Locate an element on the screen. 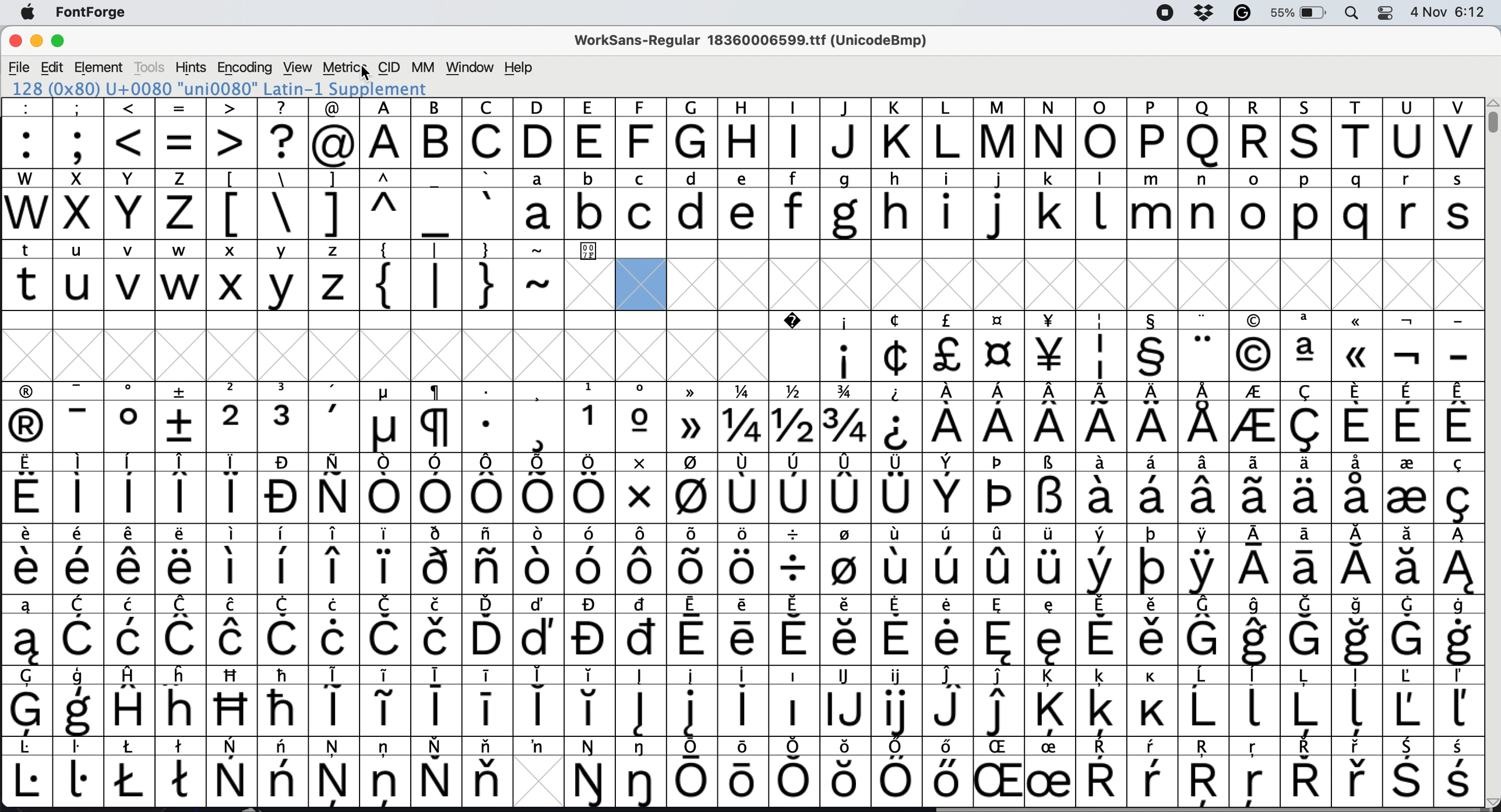 The width and height of the screenshot is (1501, 812). Window is located at coordinates (471, 67).